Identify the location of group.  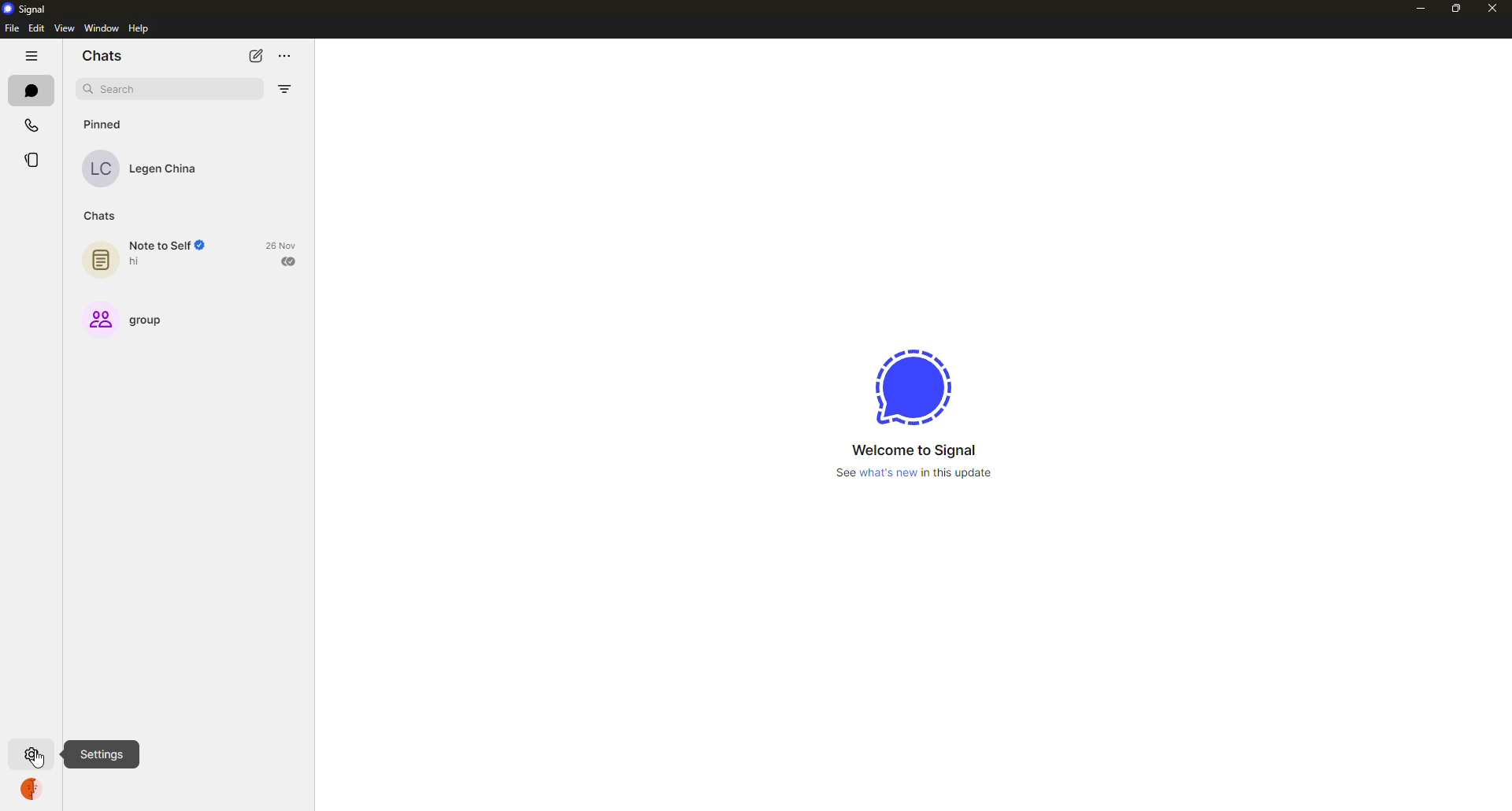
(98, 319).